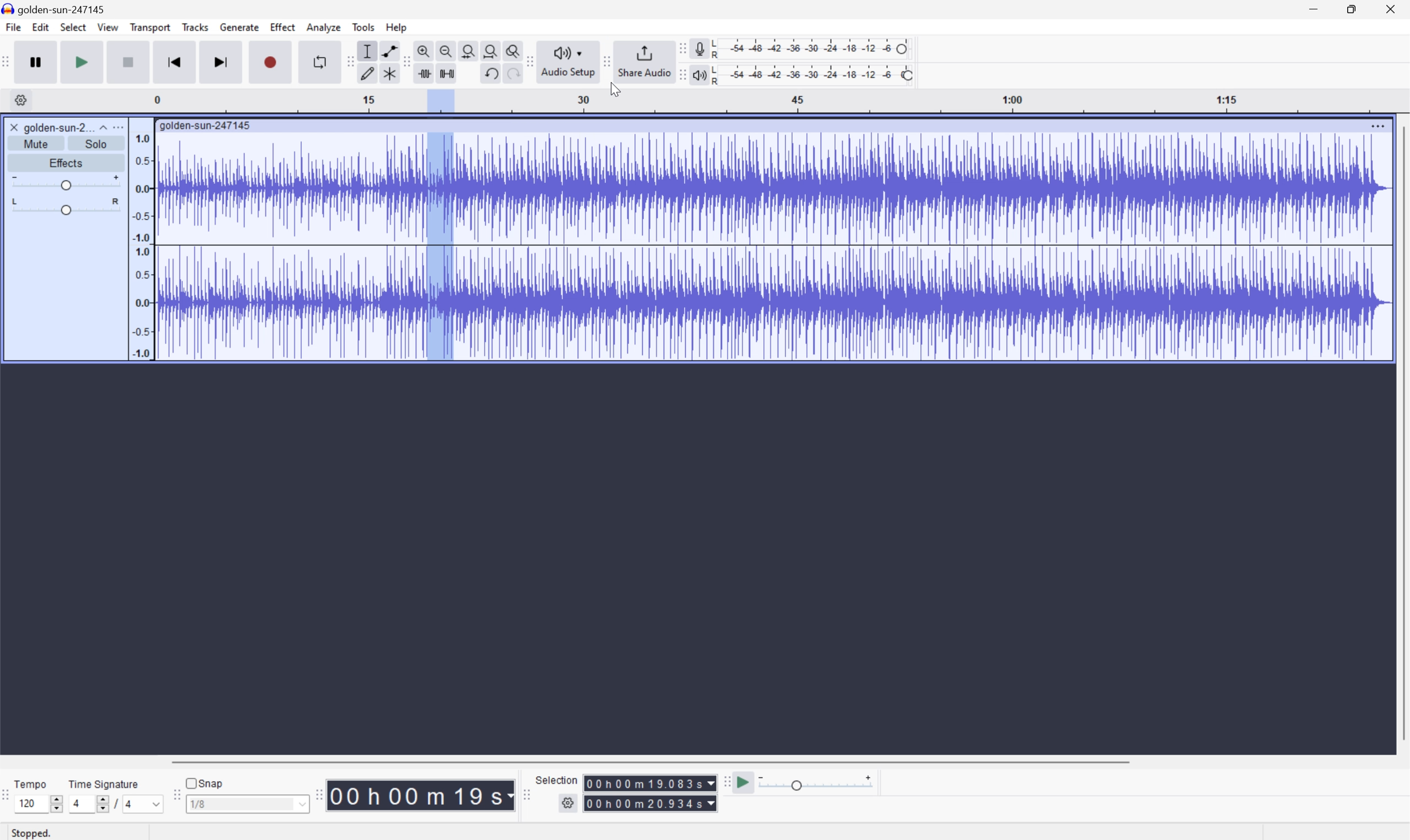 This screenshot has height=840, width=1410. I want to click on 4, so click(130, 805).